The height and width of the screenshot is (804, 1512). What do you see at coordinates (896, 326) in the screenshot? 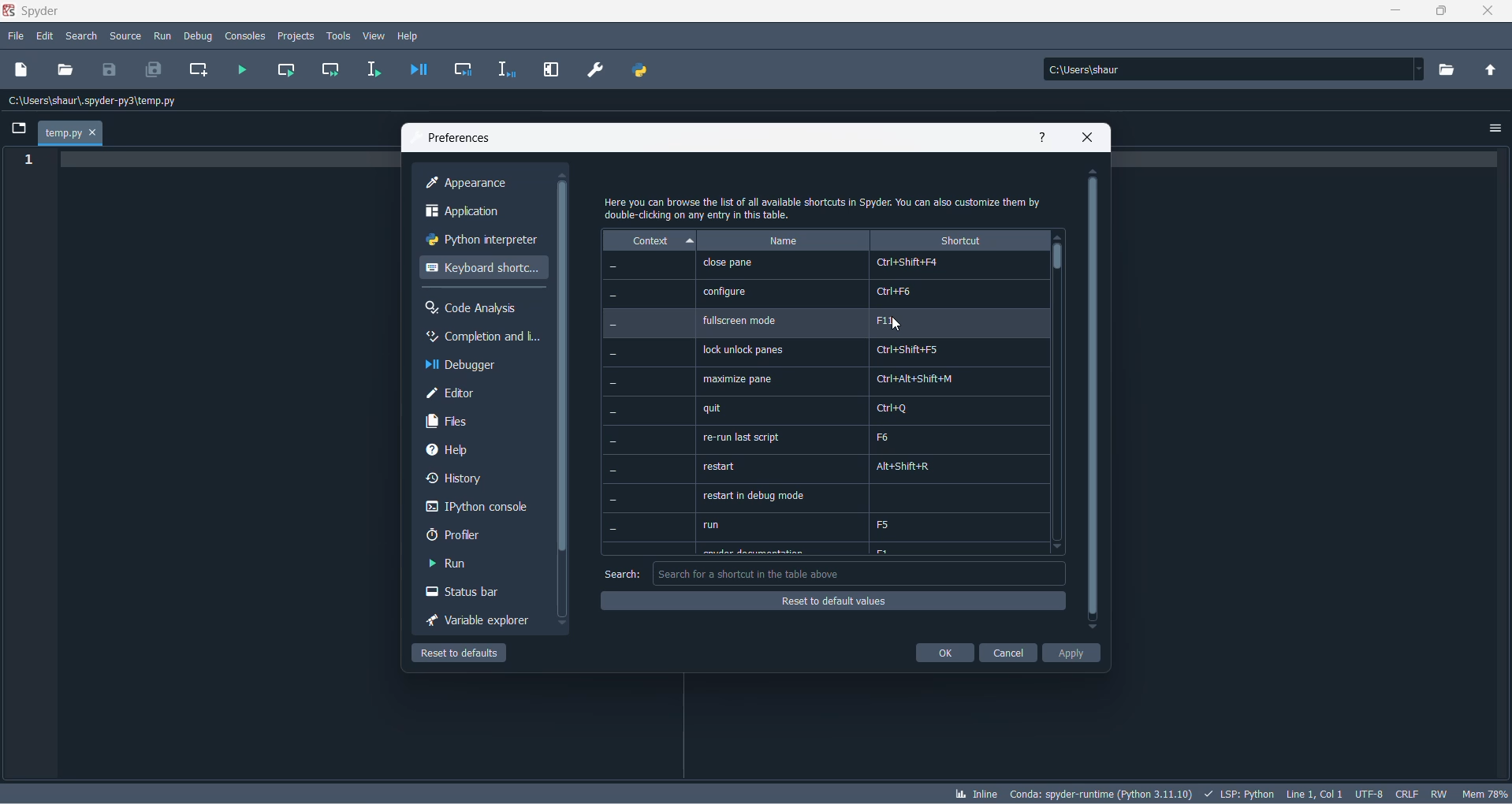
I see `cursor` at bounding box center [896, 326].